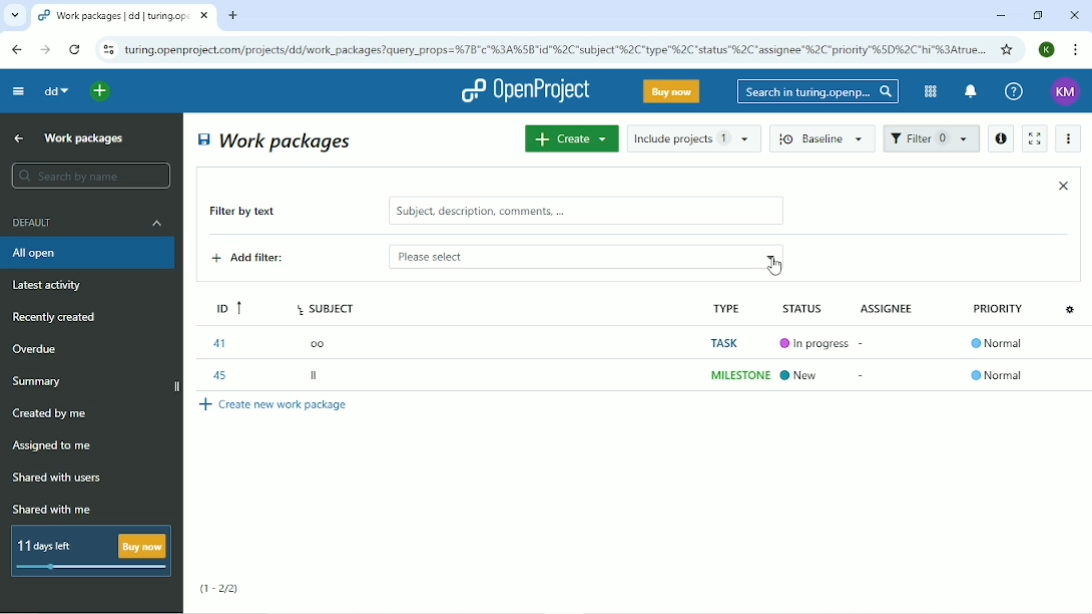  I want to click on Close, so click(1074, 15).